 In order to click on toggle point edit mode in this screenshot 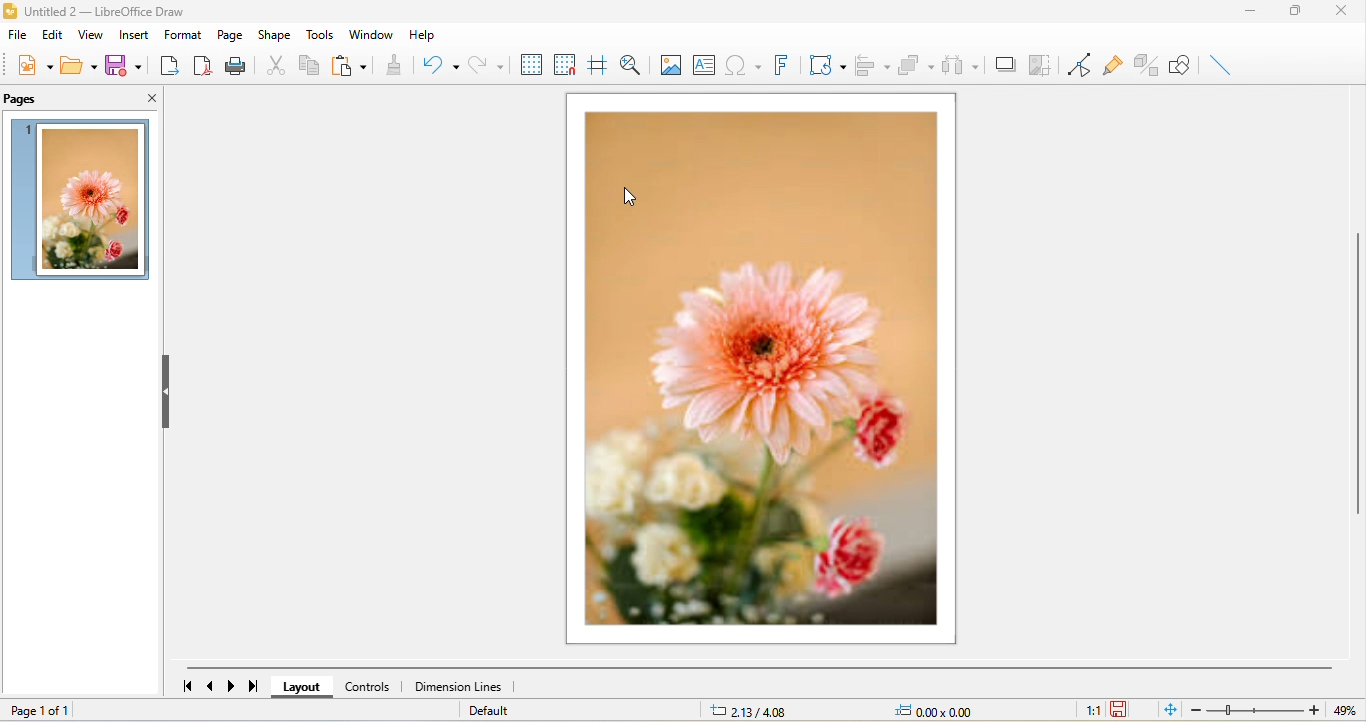, I will do `click(1076, 65)`.